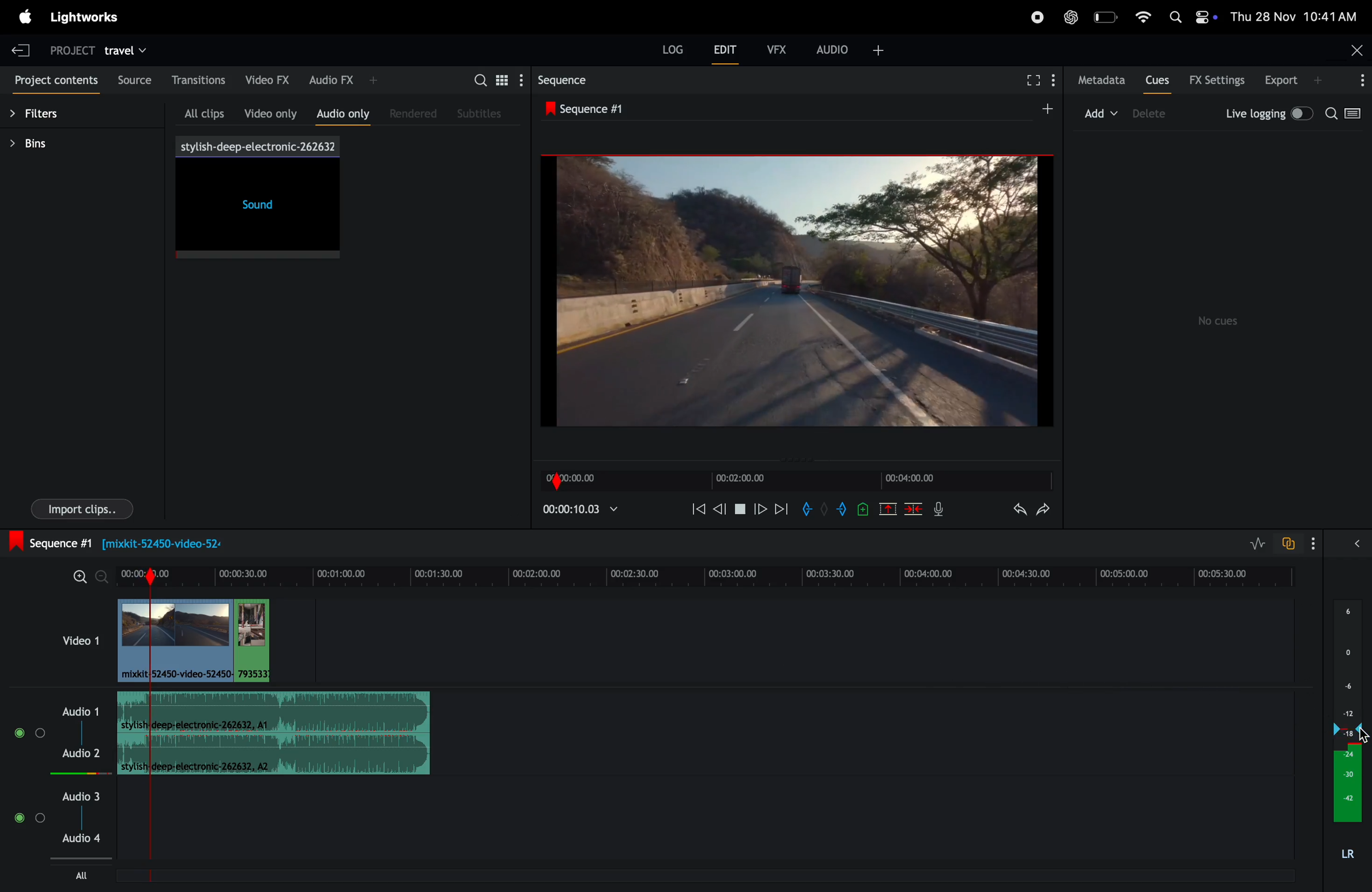 This screenshot has width=1372, height=892. What do you see at coordinates (1220, 320) in the screenshot?
I see `no cues` at bounding box center [1220, 320].